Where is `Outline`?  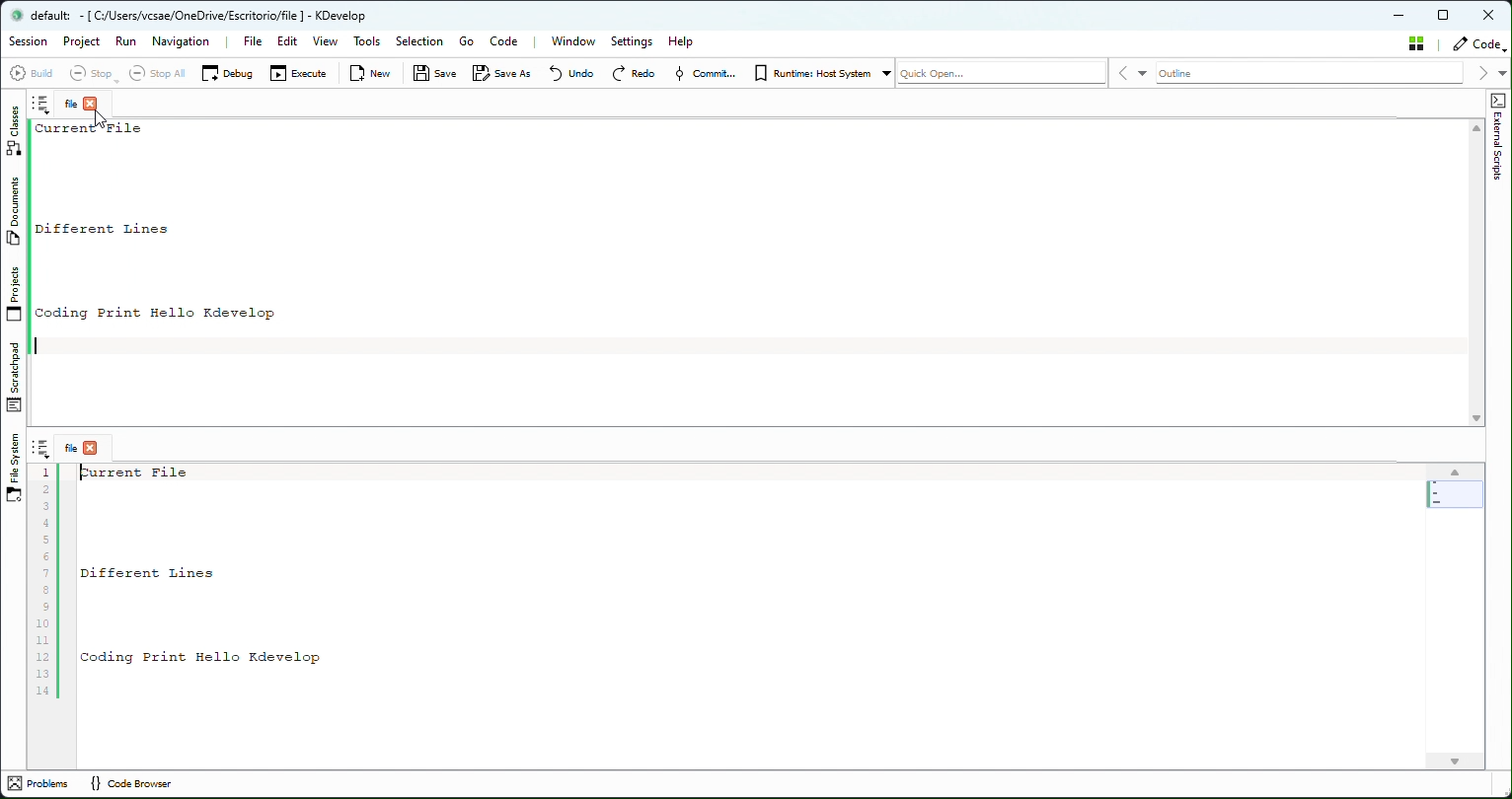 Outline is located at coordinates (1315, 73).